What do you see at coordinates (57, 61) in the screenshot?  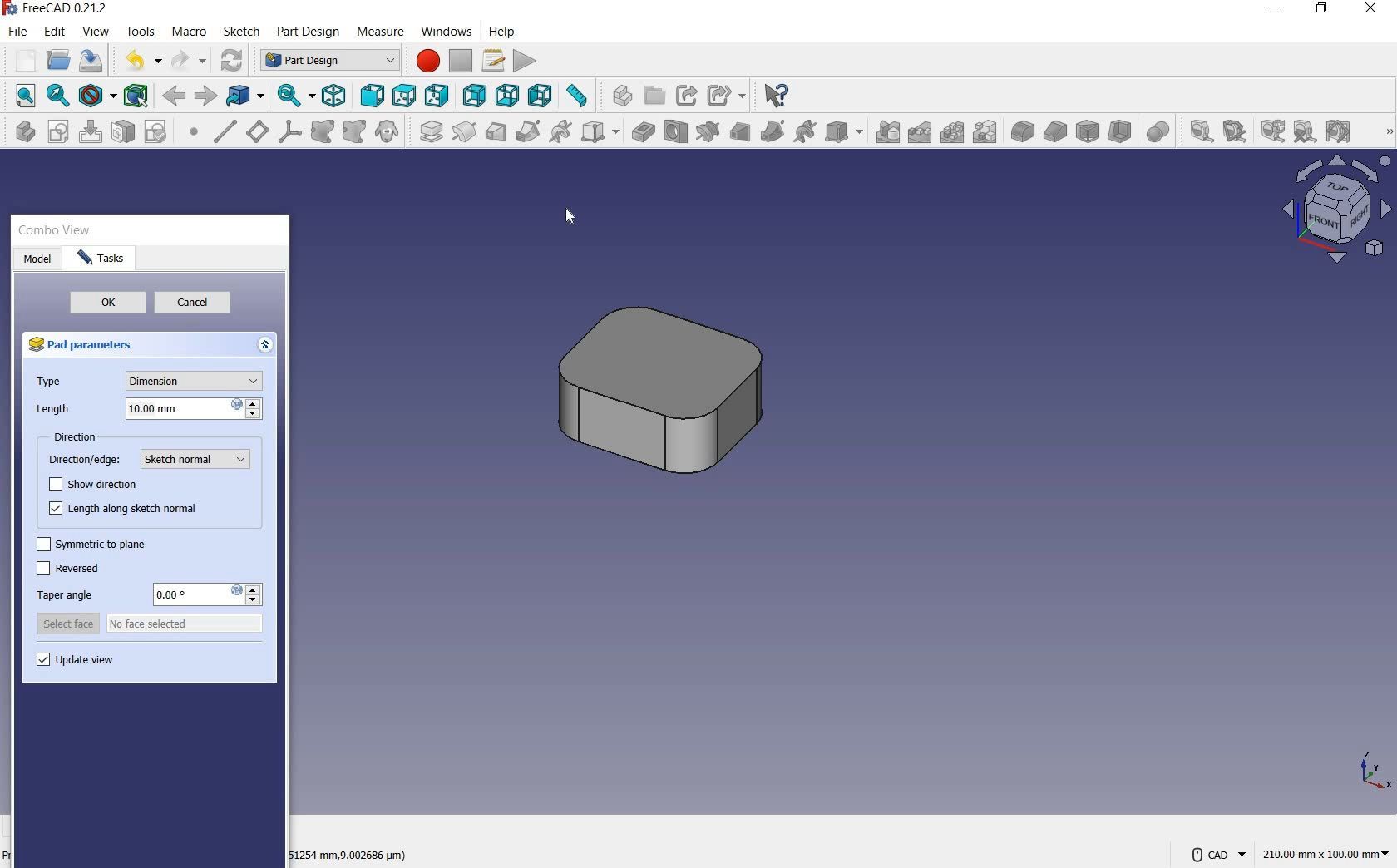 I see `open` at bounding box center [57, 61].